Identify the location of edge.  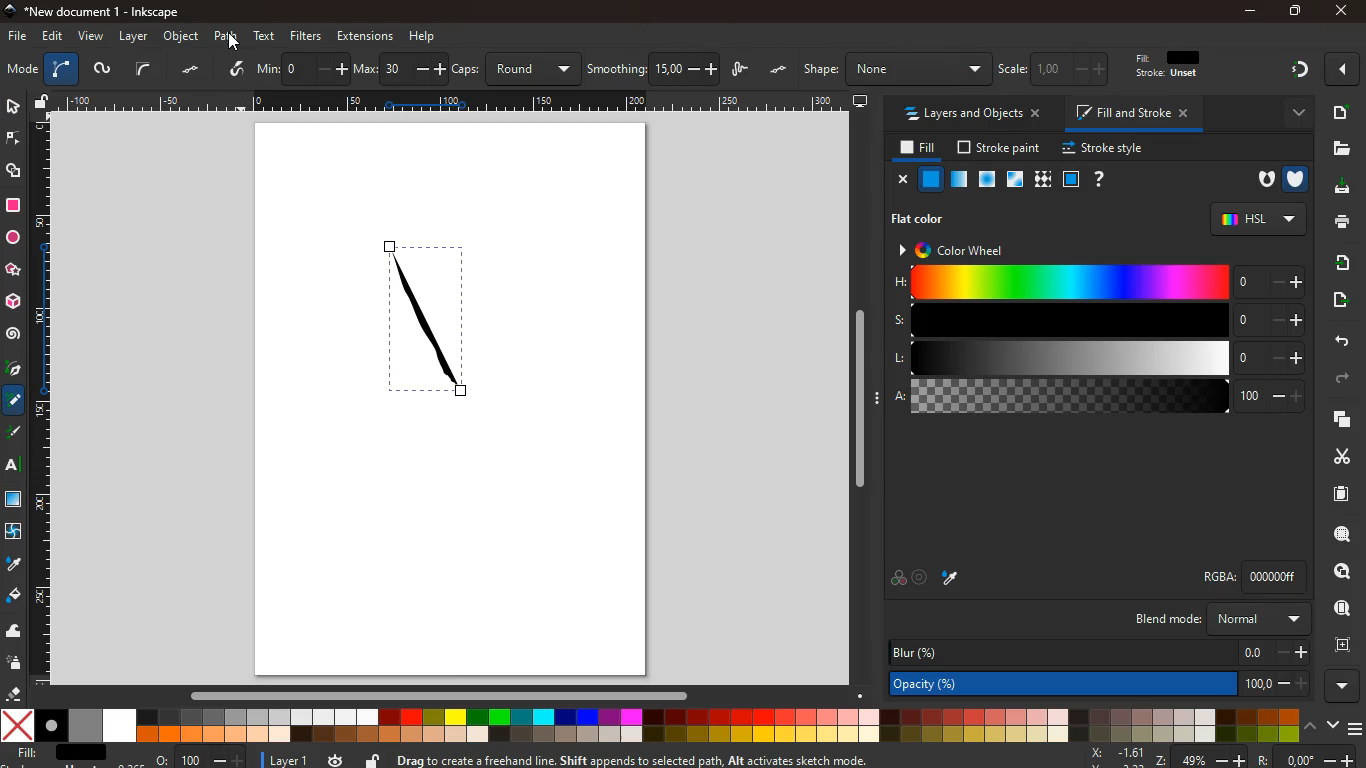
(14, 142).